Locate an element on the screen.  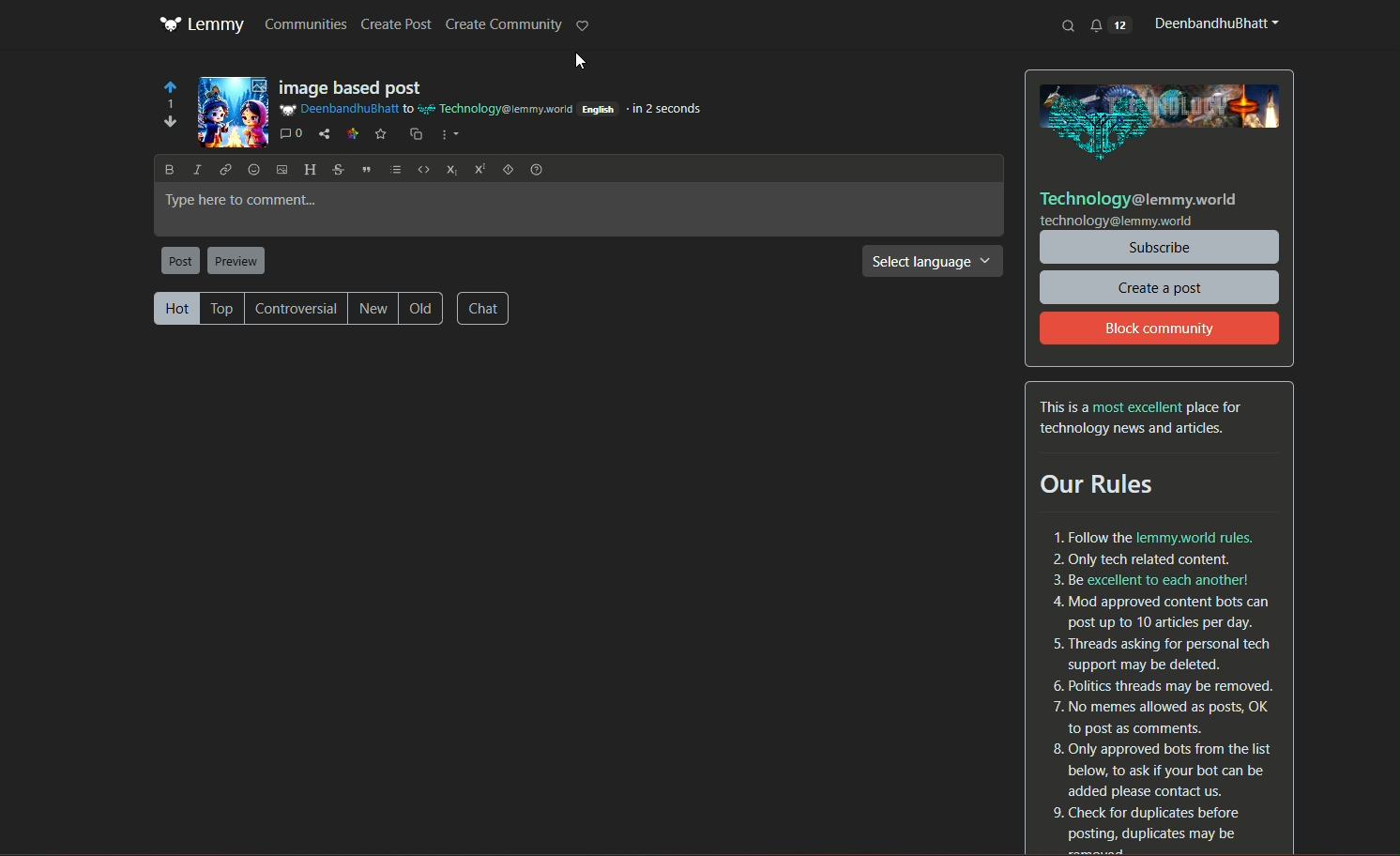
Quote is located at coordinates (363, 167).